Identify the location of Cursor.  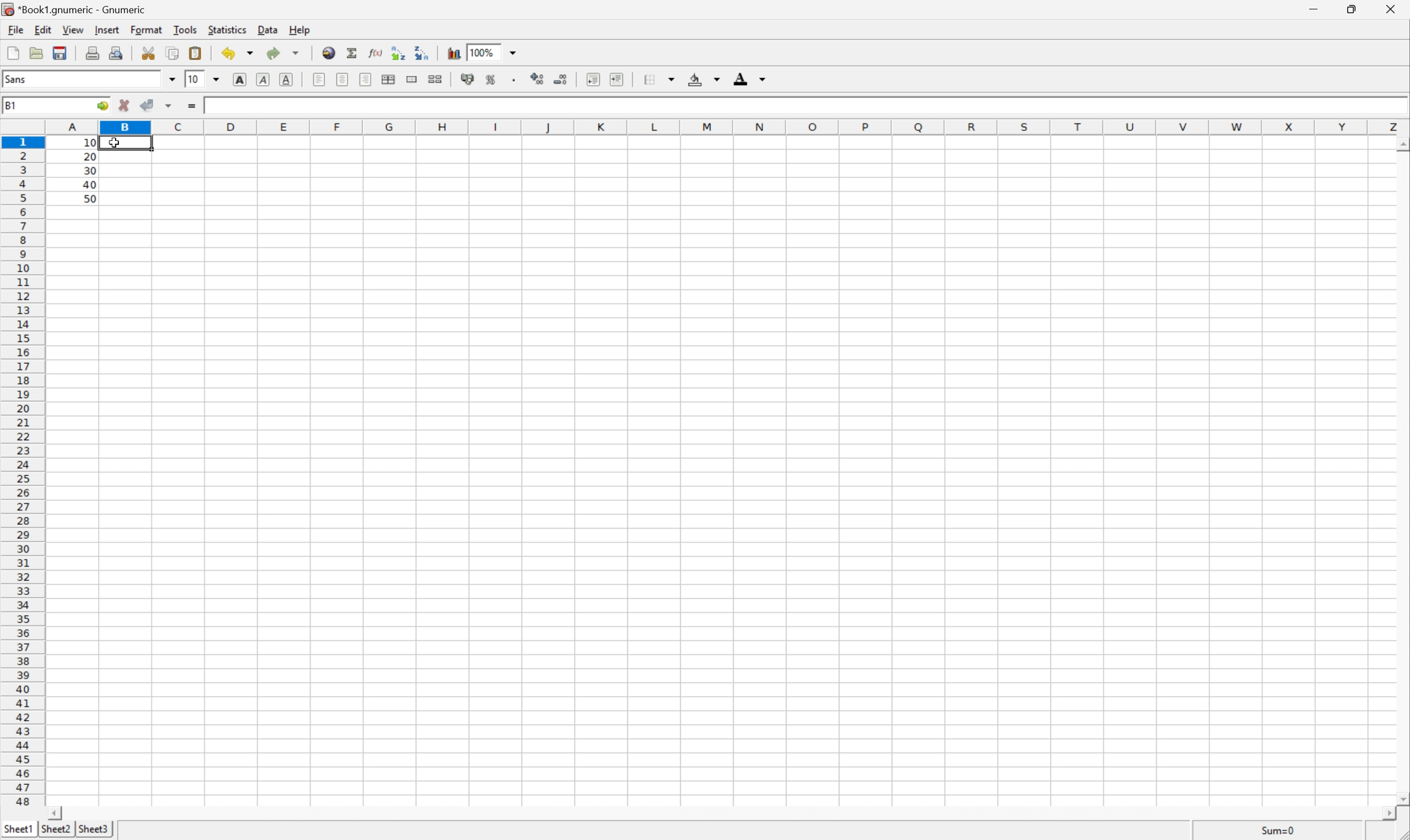
(114, 141).